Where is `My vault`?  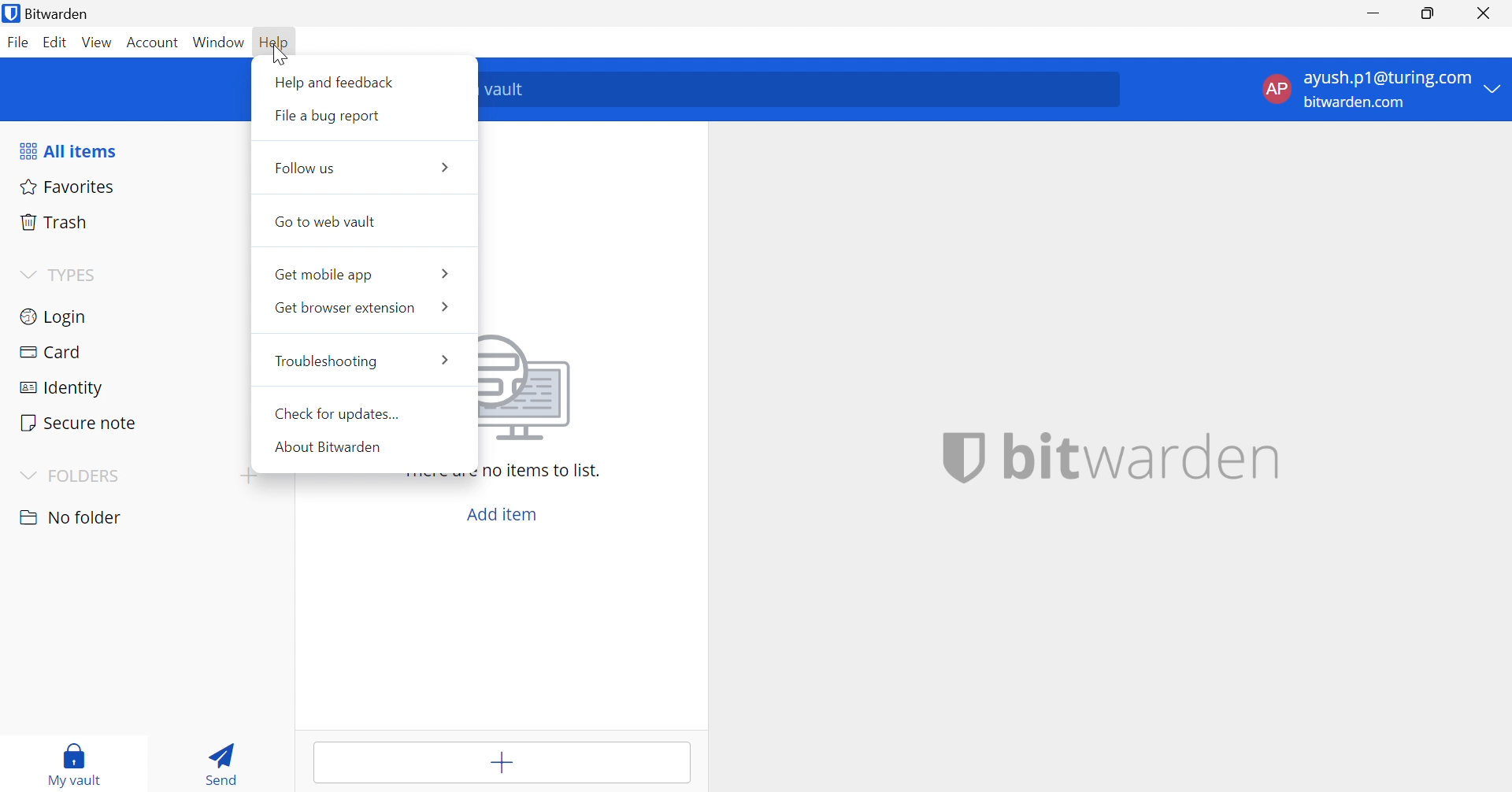
My vault is located at coordinates (75, 762).